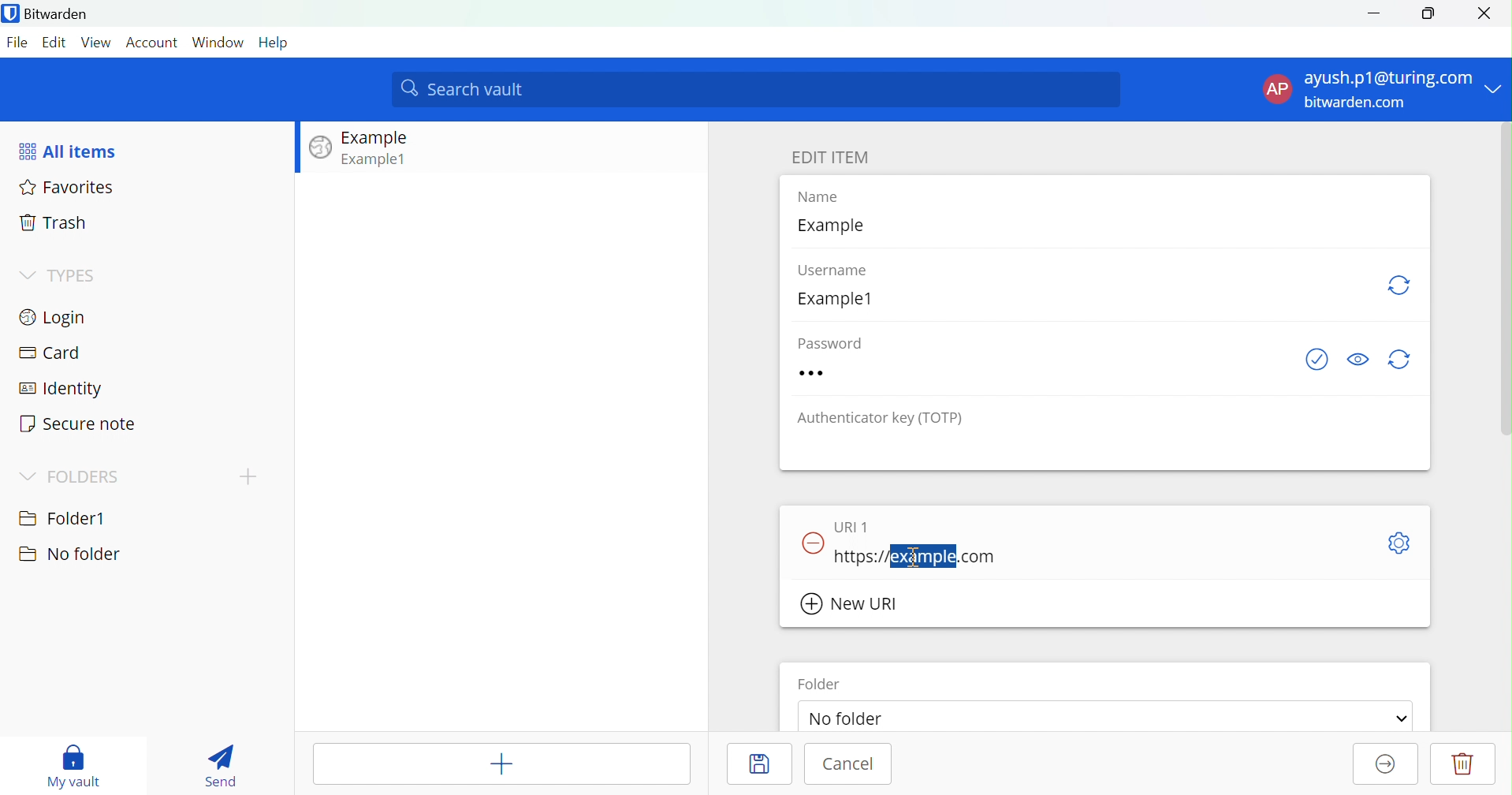 This screenshot has width=1512, height=795. Describe the element at coordinates (220, 766) in the screenshot. I see `Send` at that location.